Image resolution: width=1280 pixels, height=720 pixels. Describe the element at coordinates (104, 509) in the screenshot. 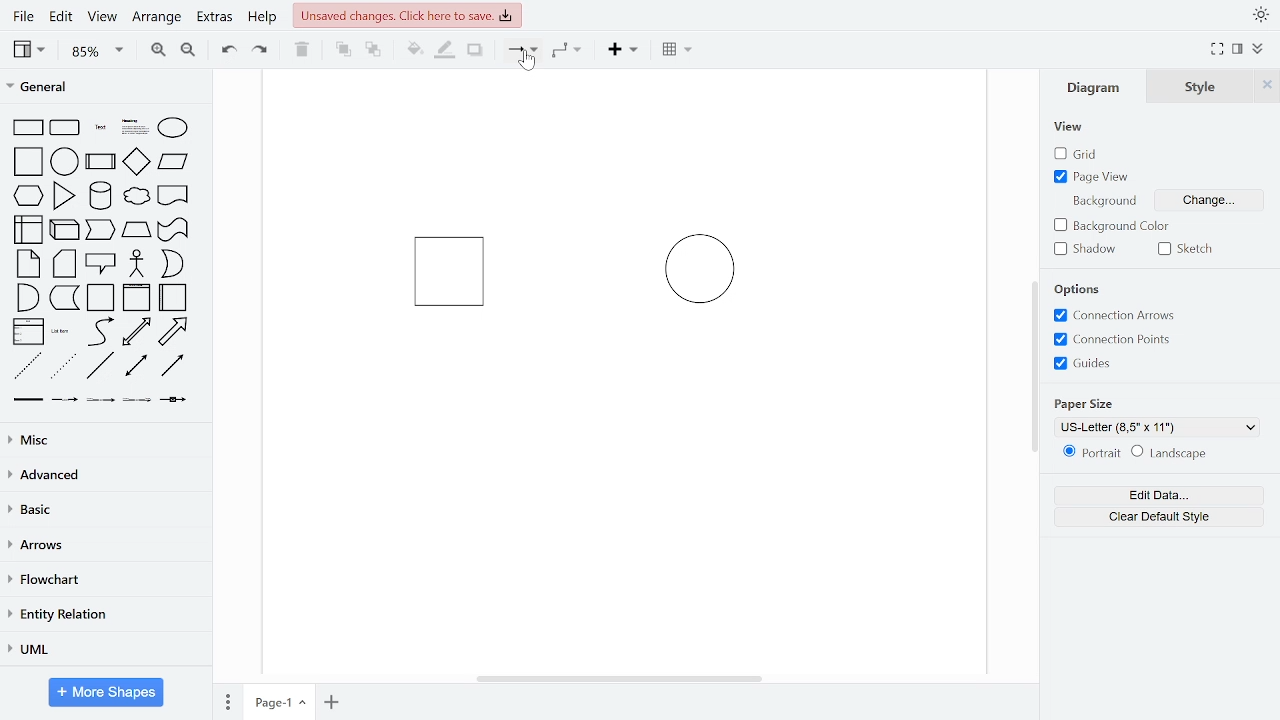

I see `basic` at that location.